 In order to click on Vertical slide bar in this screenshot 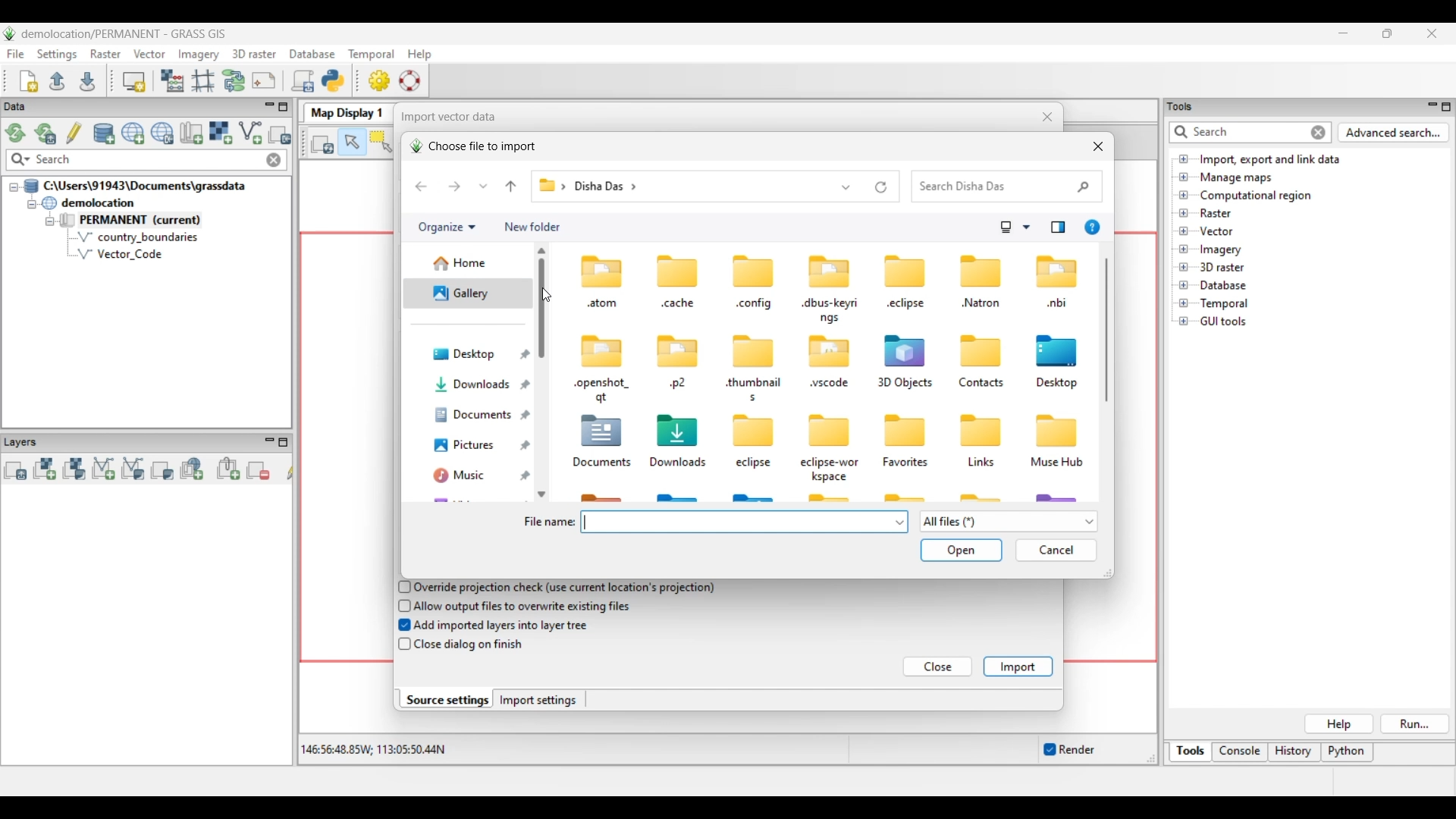, I will do `click(1106, 330)`.